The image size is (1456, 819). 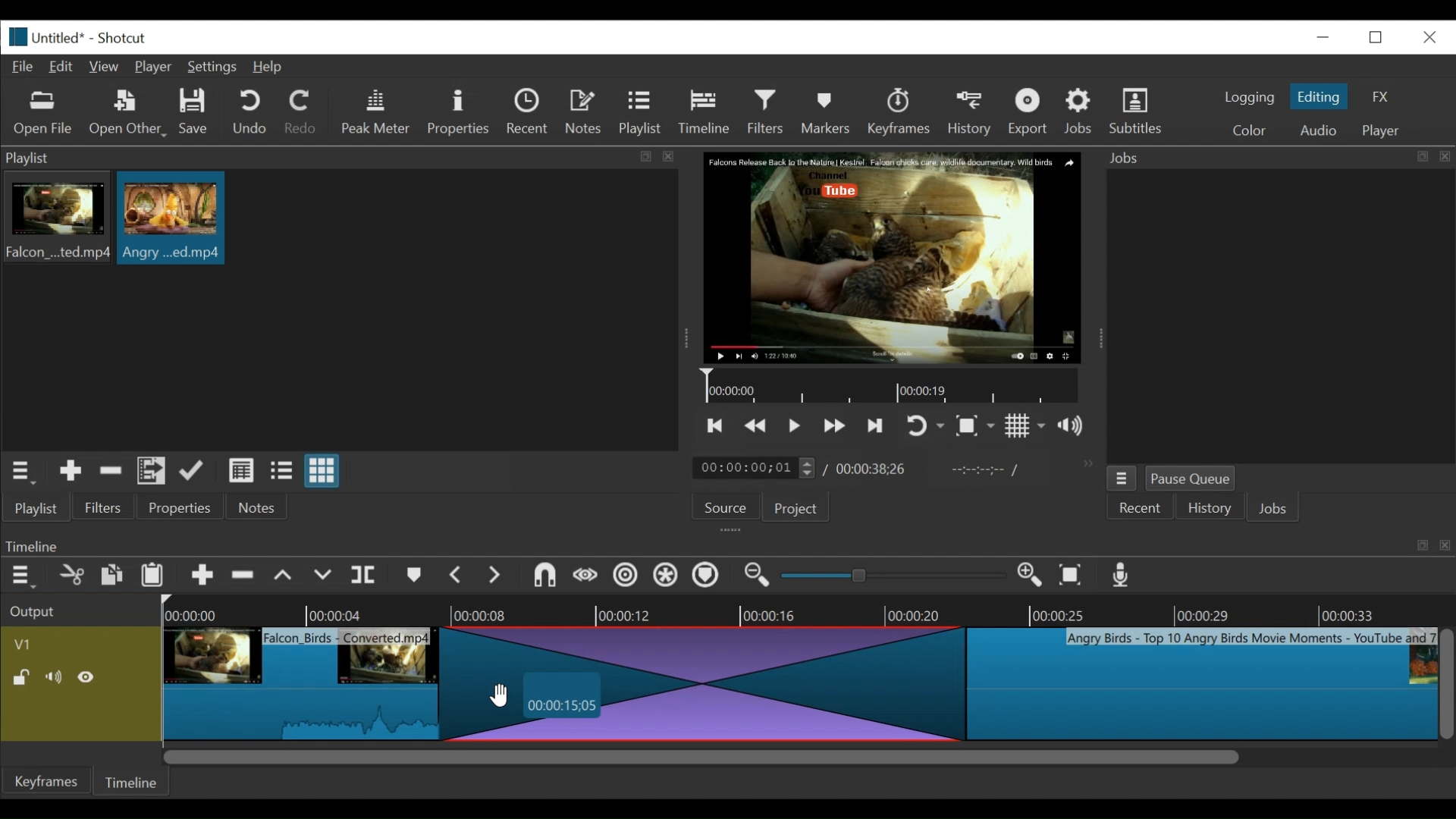 What do you see at coordinates (497, 576) in the screenshot?
I see `next marker` at bounding box center [497, 576].